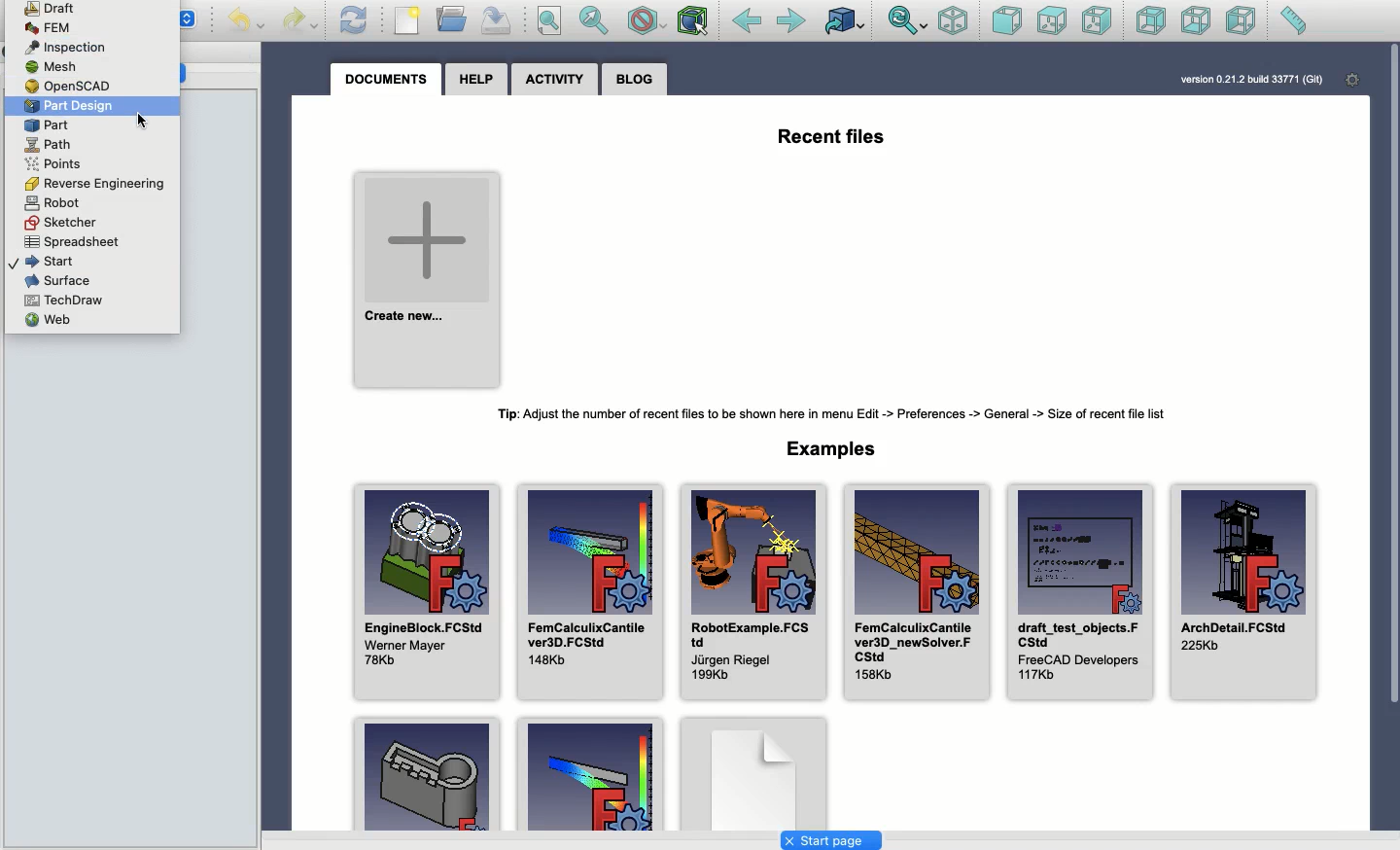  What do you see at coordinates (424, 772) in the screenshot?
I see `Example 1` at bounding box center [424, 772].